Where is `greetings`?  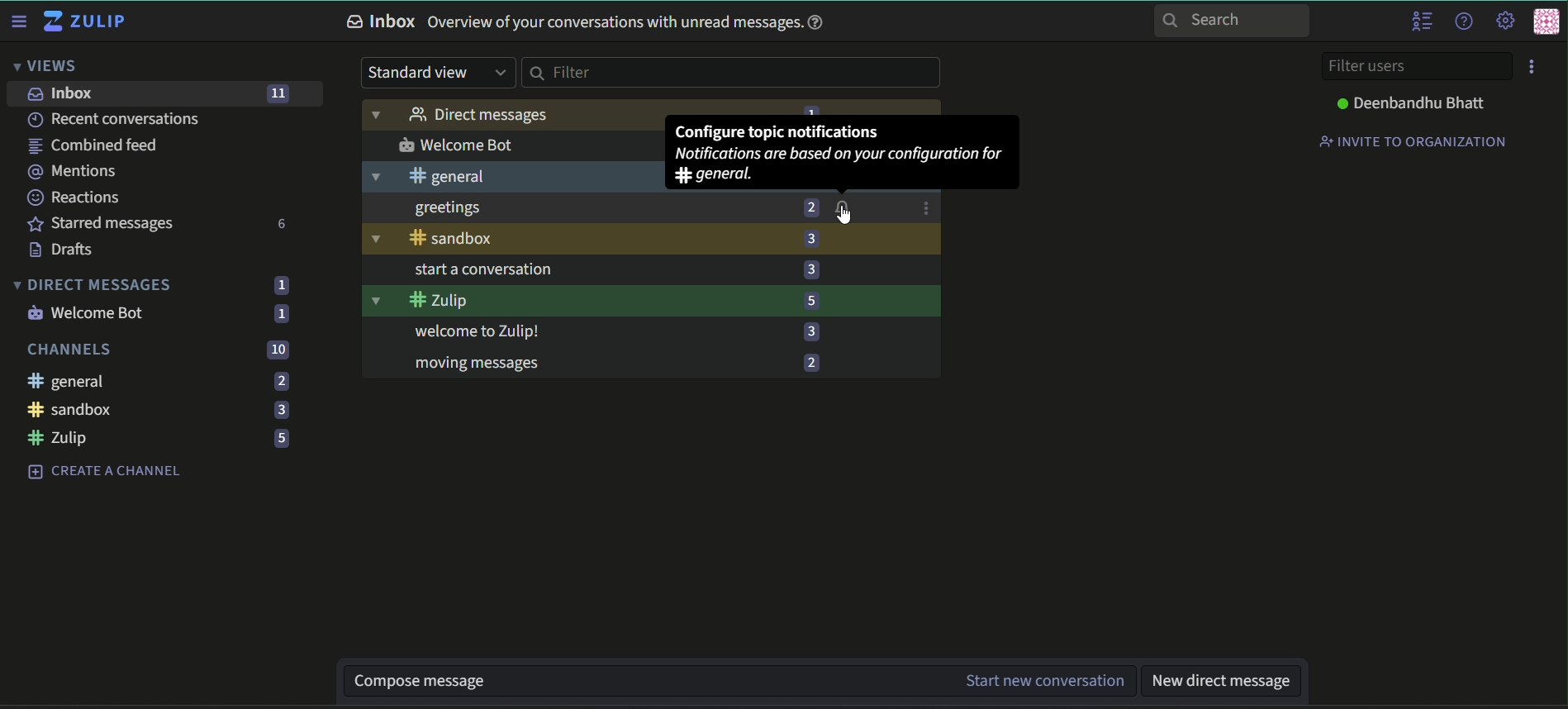
greetings is located at coordinates (588, 210).